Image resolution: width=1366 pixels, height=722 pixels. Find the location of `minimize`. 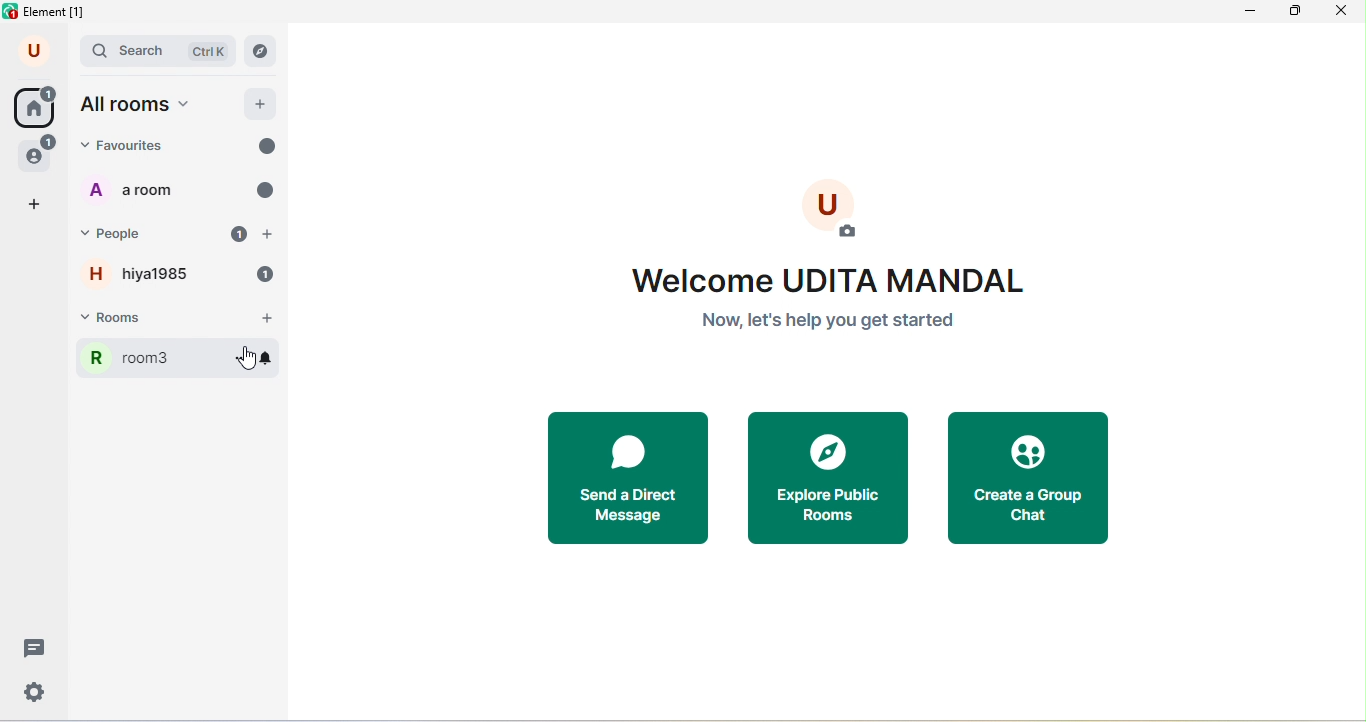

minimize is located at coordinates (1248, 15).